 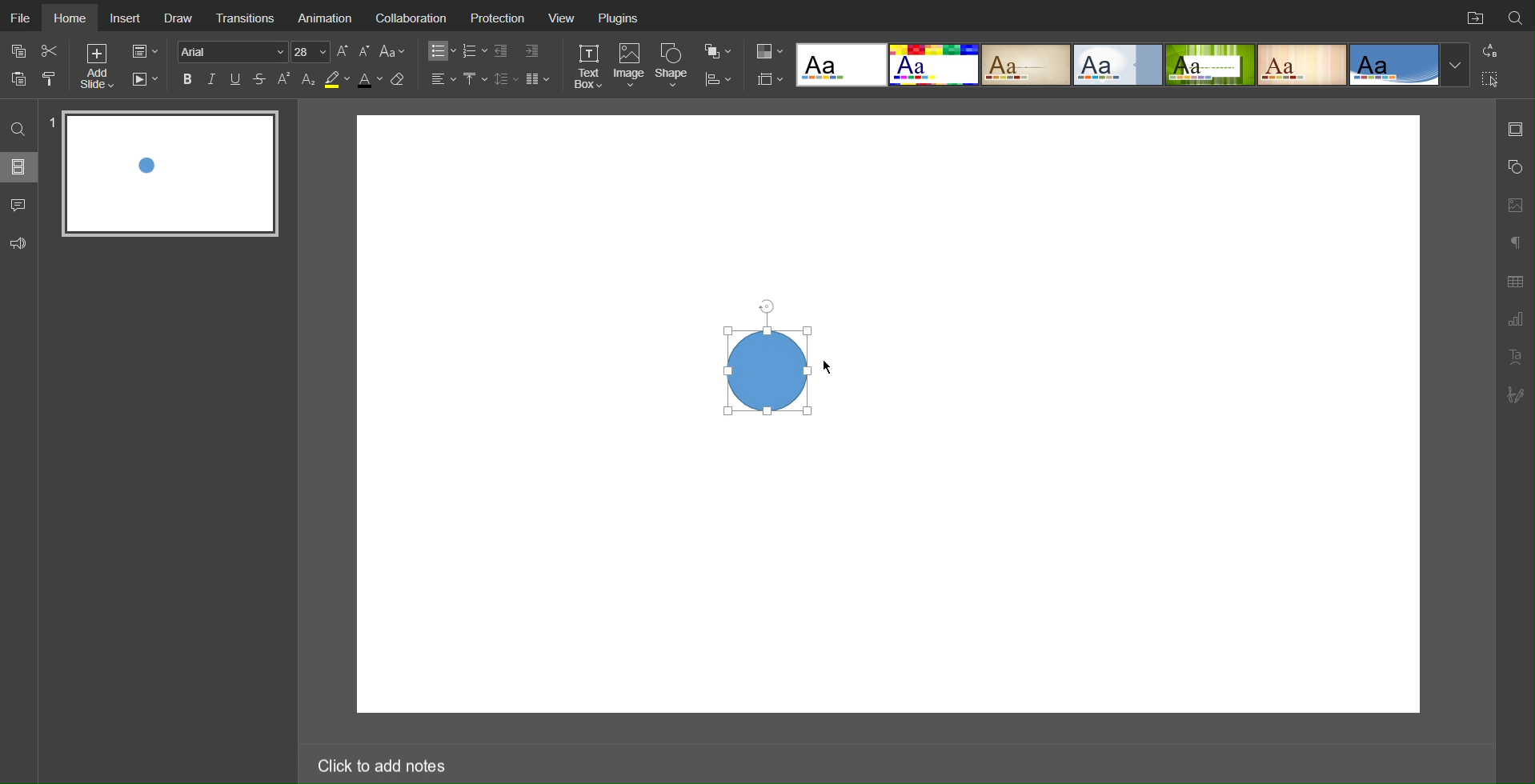 I want to click on View, so click(x=563, y=20).